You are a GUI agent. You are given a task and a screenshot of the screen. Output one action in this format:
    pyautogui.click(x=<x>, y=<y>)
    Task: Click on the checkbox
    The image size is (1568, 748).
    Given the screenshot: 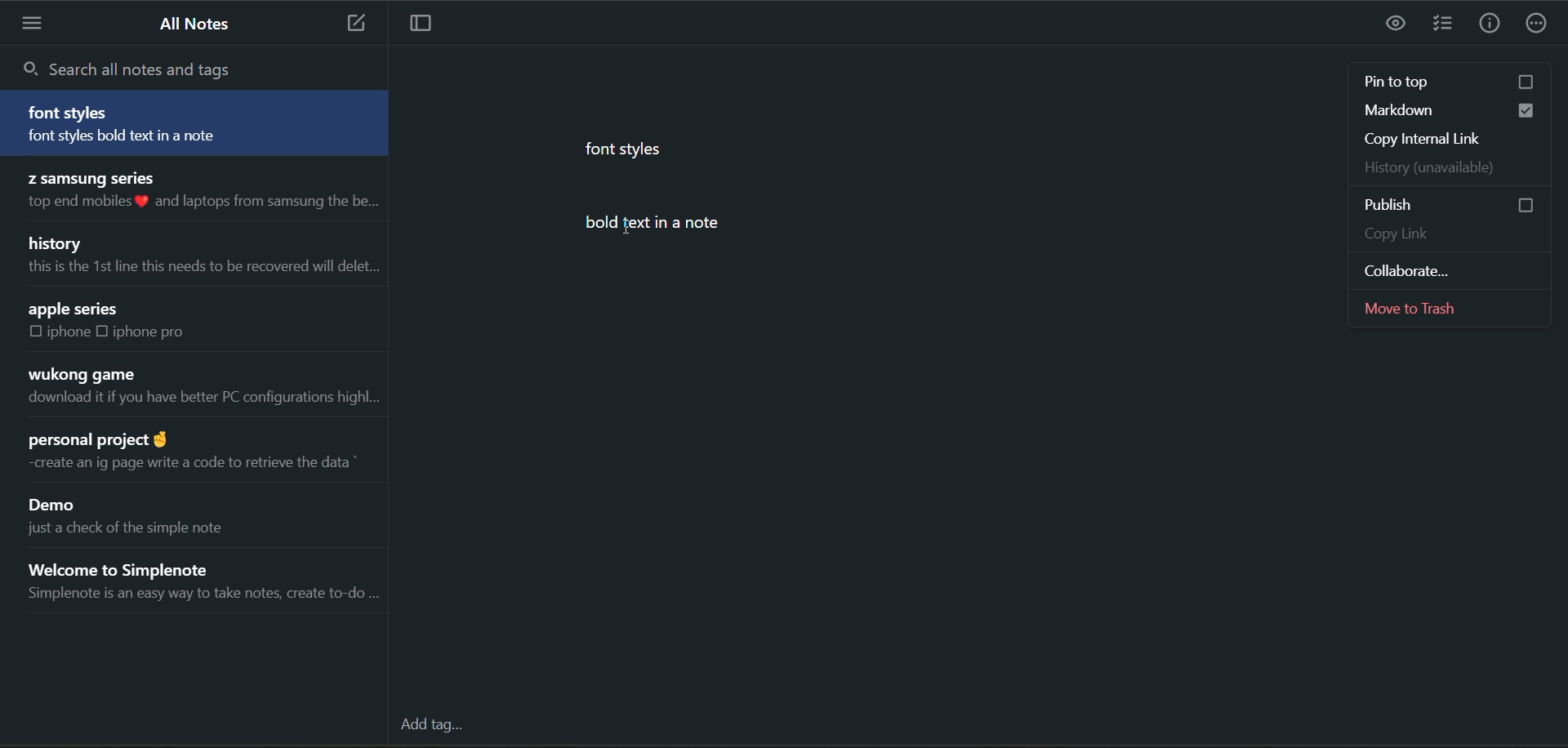 What is the action you would take?
    pyautogui.click(x=36, y=332)
    